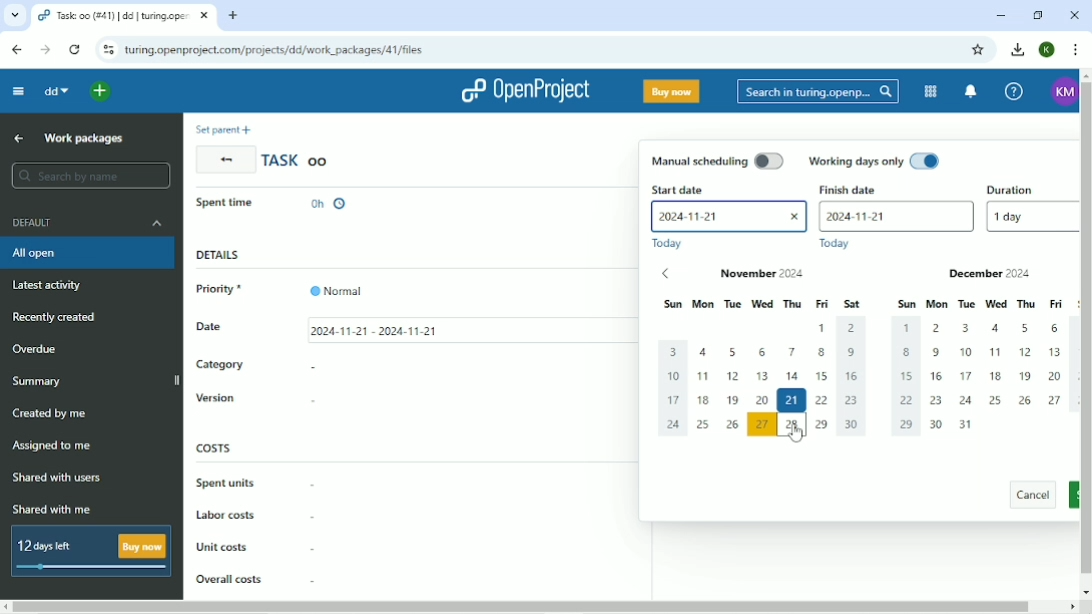  I want to click on Date, so click(227, 329).